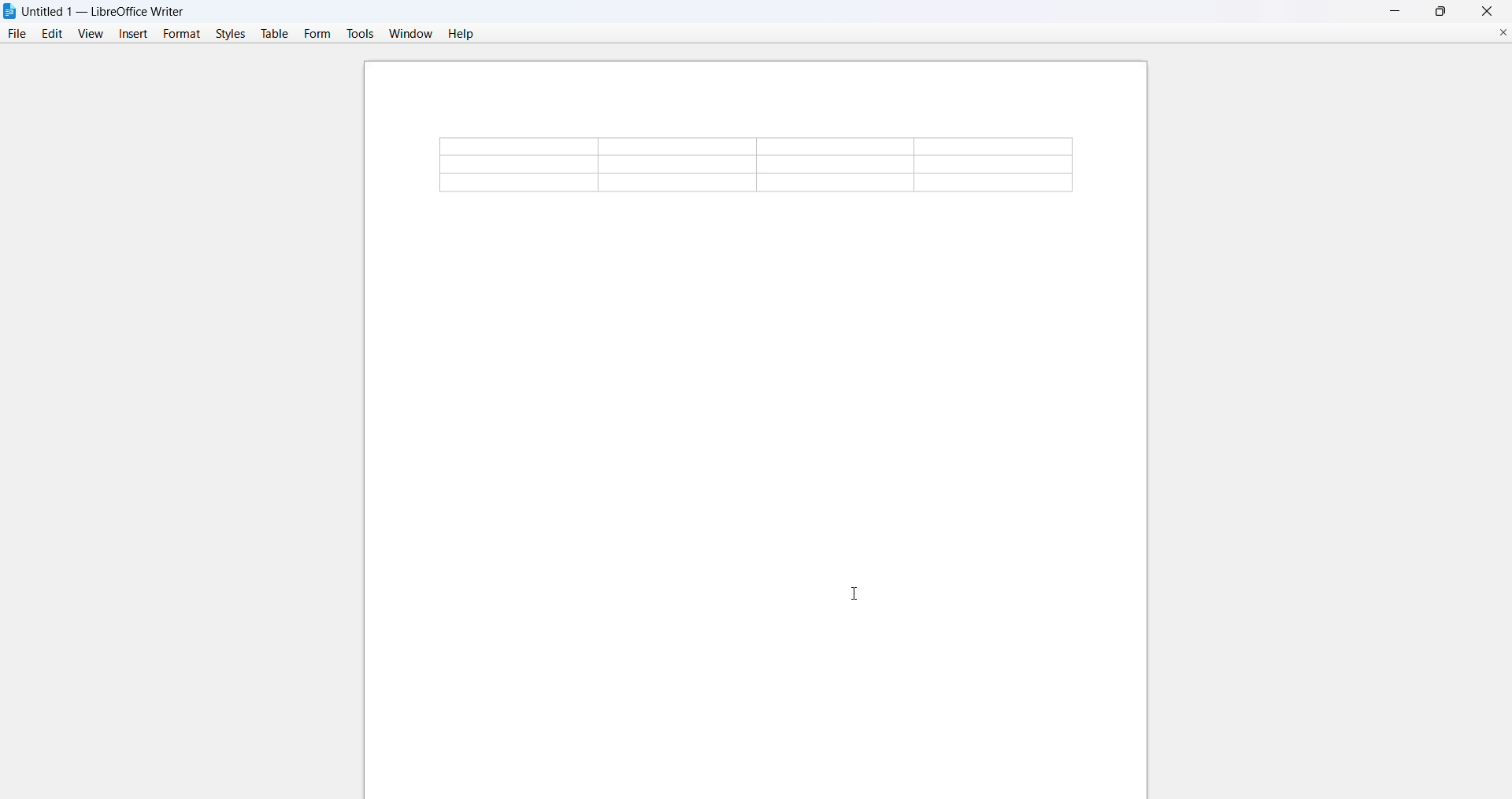  I want to click on format, so click(179, 32).